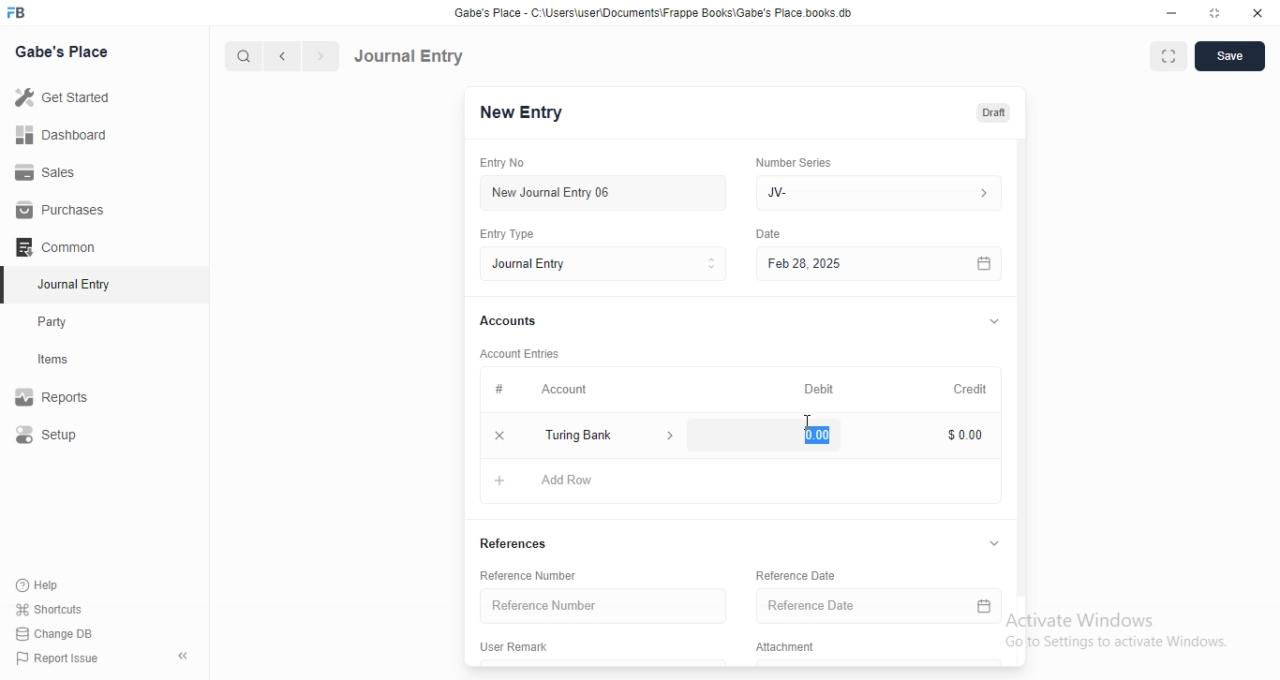 The width and height of the screenshot is (1280, 680). Describe the element at coordinates (788, 648) in the screenshot. I see `Attachment` at that location.